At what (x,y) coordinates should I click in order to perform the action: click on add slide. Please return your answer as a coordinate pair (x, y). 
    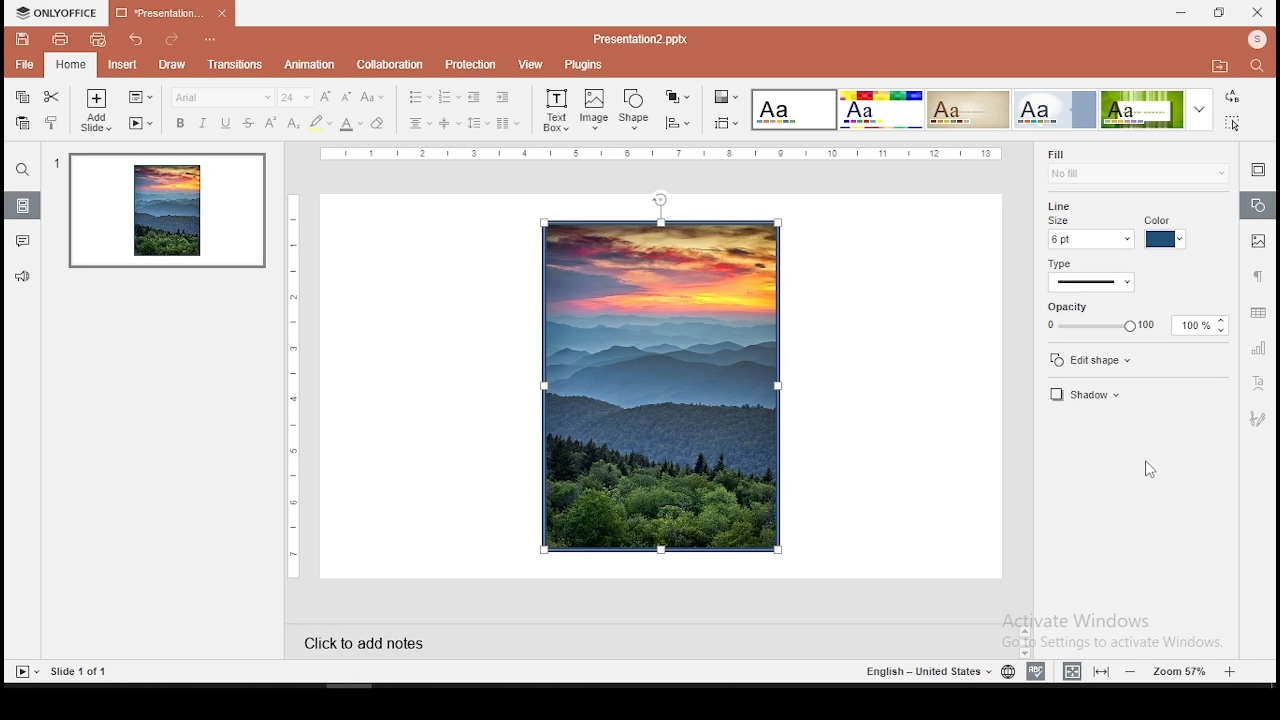
    Looking at the image, I should click on (95, 110).